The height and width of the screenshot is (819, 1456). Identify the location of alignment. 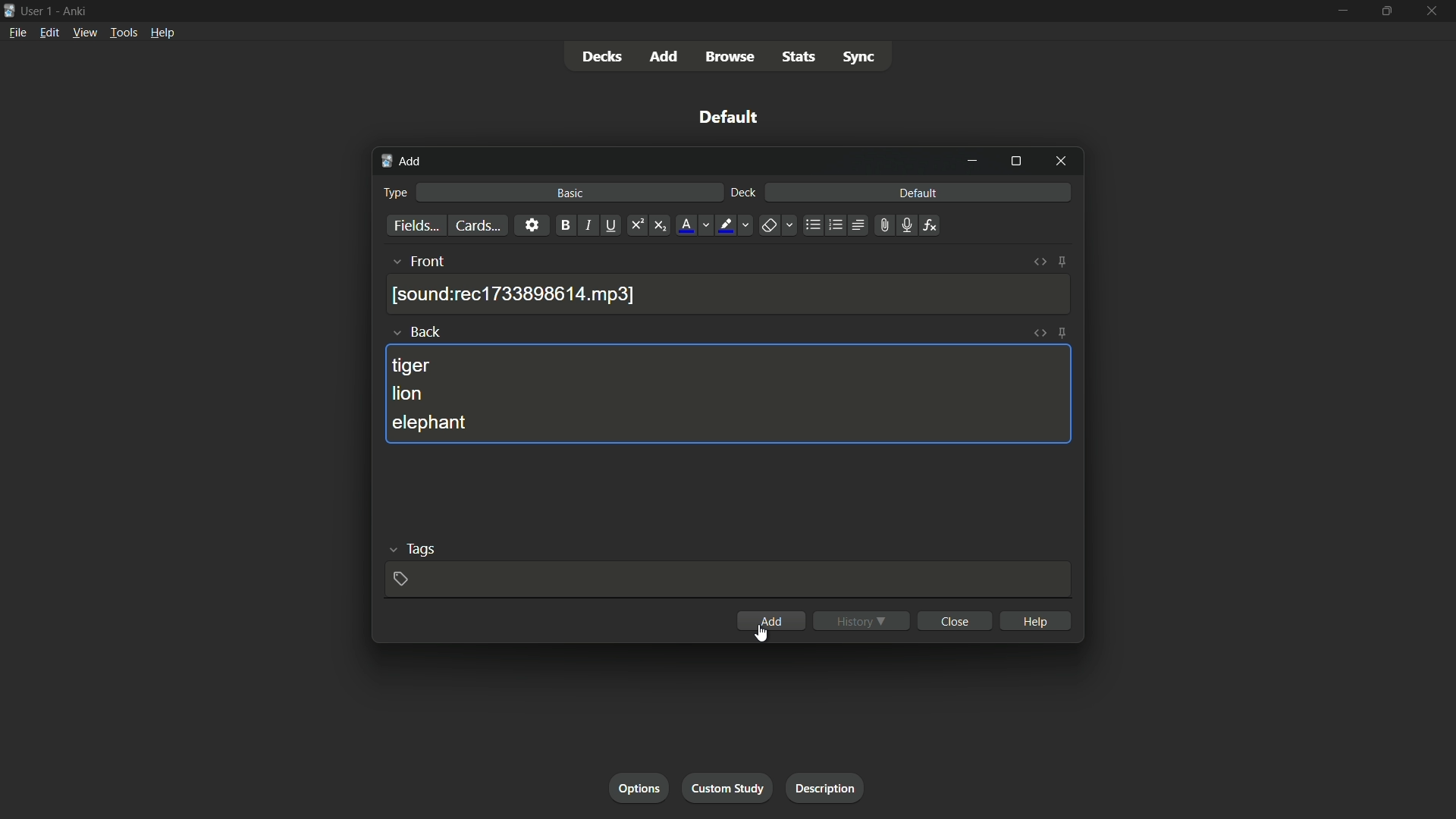
(858, 227).